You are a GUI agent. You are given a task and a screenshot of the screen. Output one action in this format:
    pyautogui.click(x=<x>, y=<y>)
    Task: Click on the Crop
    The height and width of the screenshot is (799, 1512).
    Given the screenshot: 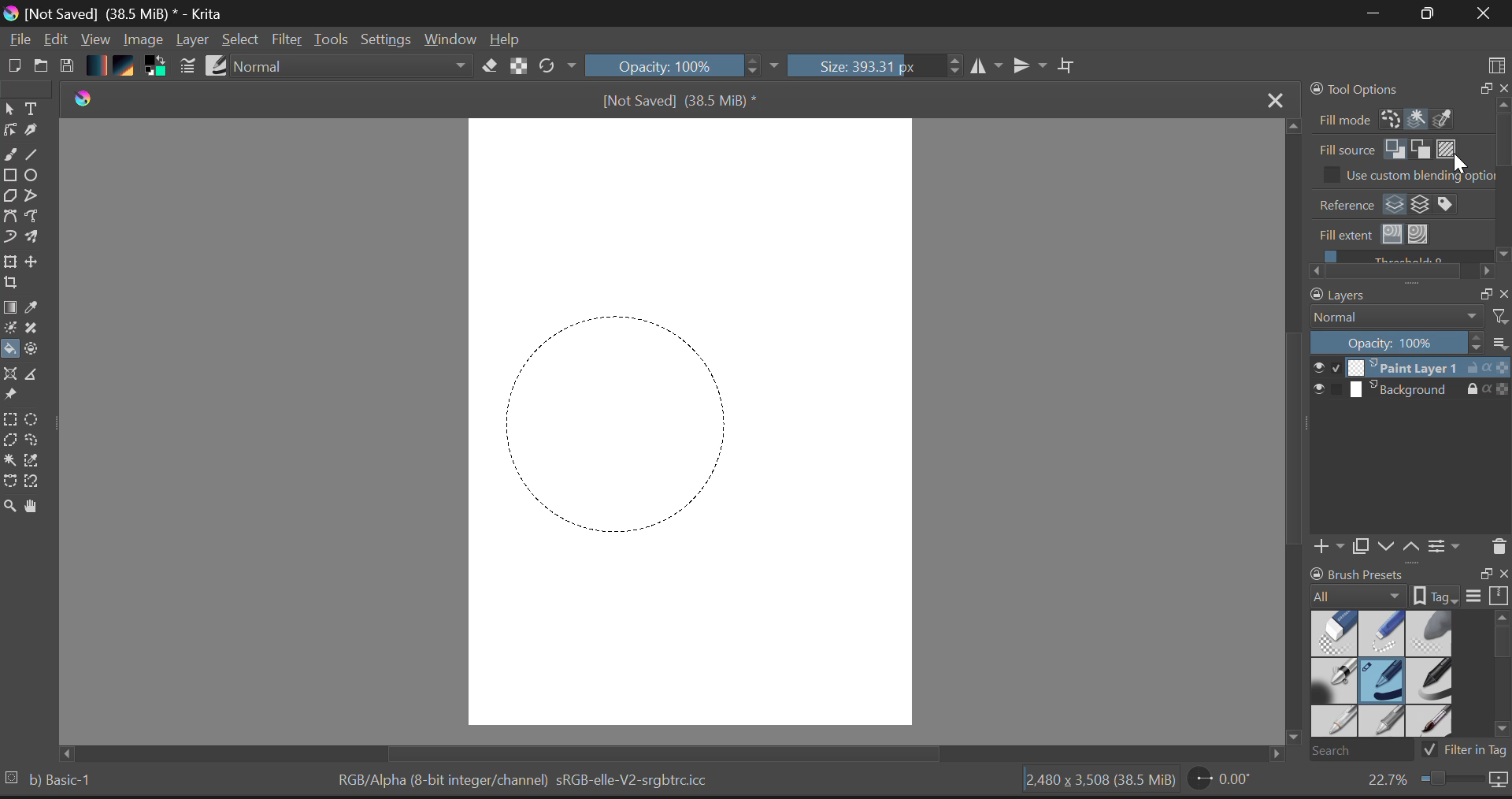 What is the action you would take?
    pyautogui.click(x=1067, y=66)
    